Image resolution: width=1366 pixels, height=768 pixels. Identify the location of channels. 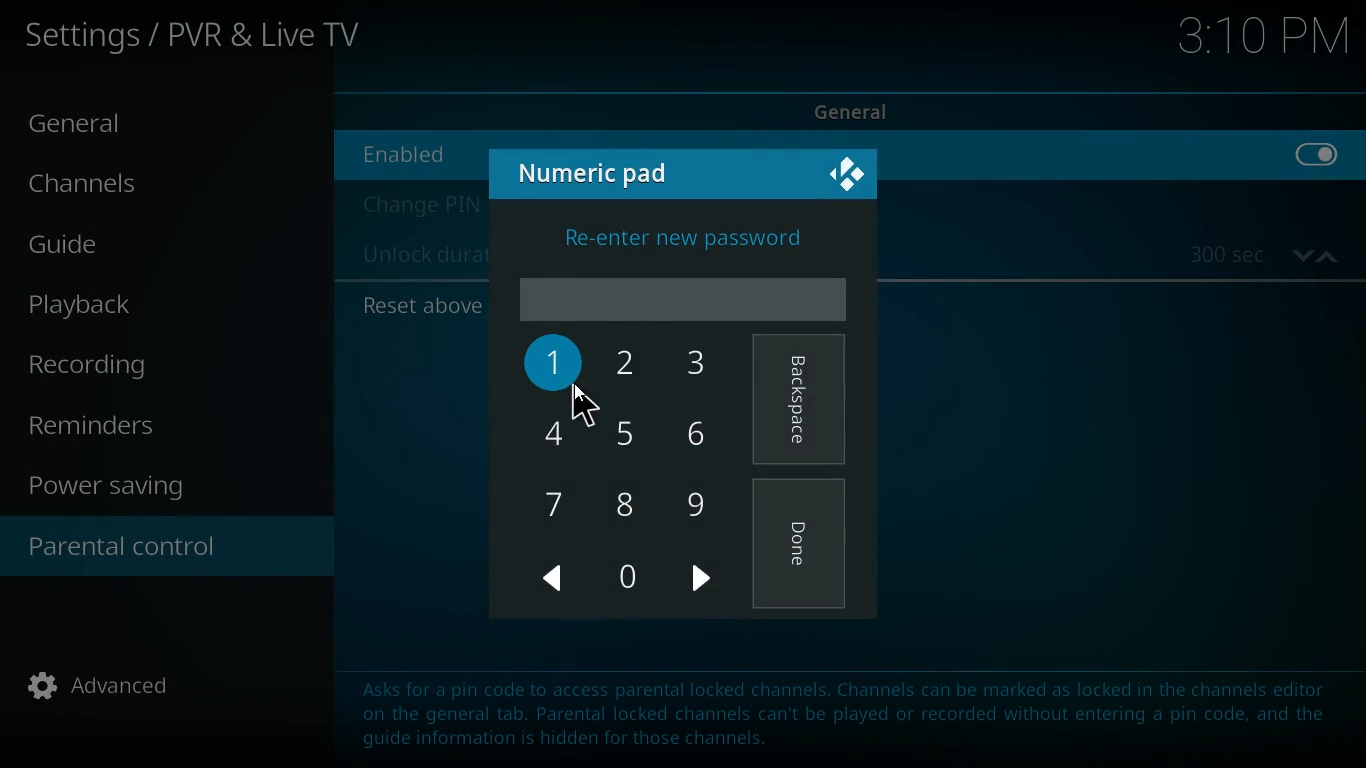
(101, 188).